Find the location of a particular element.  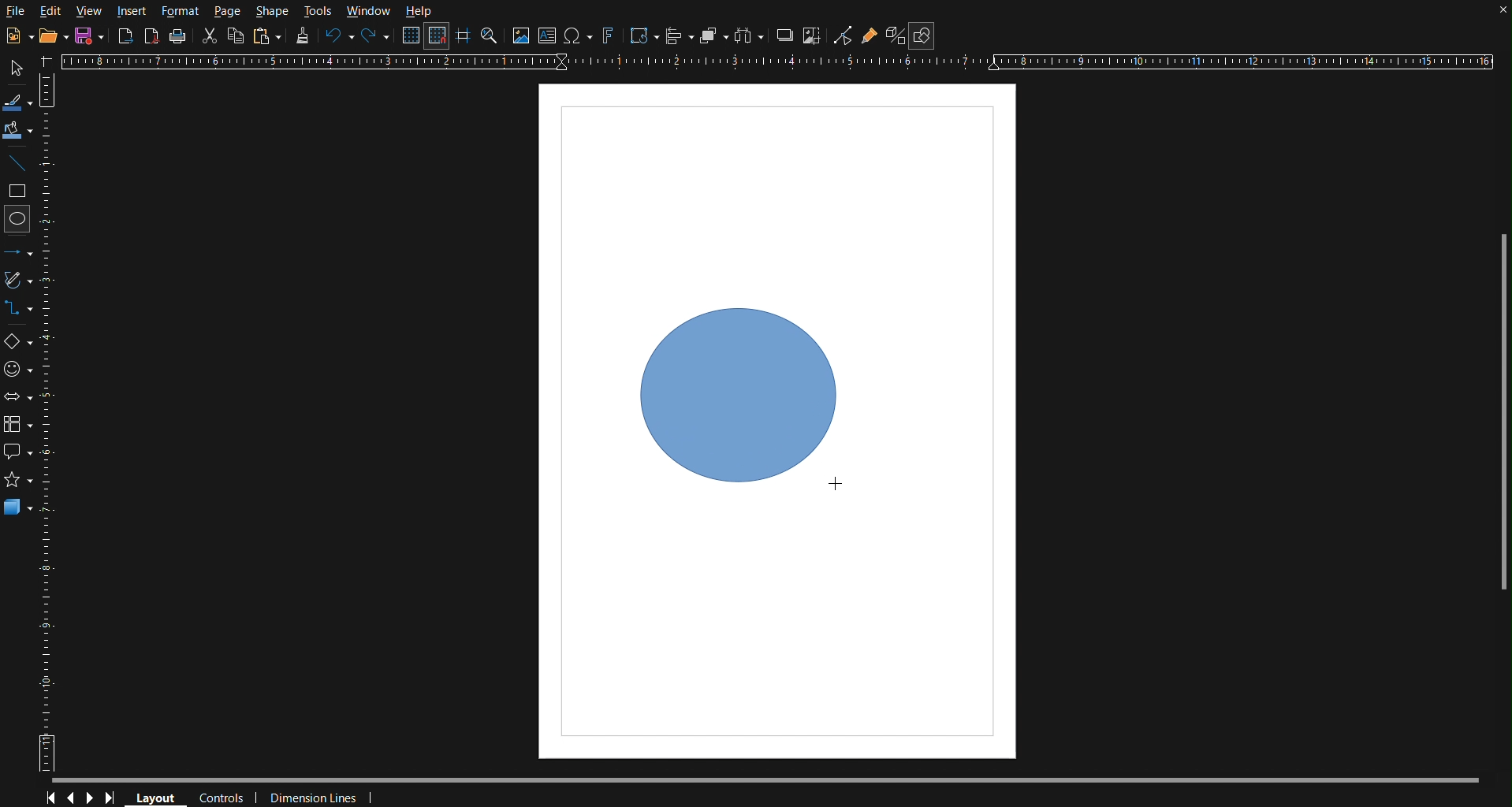

Line and Arrows is located at coordinates (18, 252).